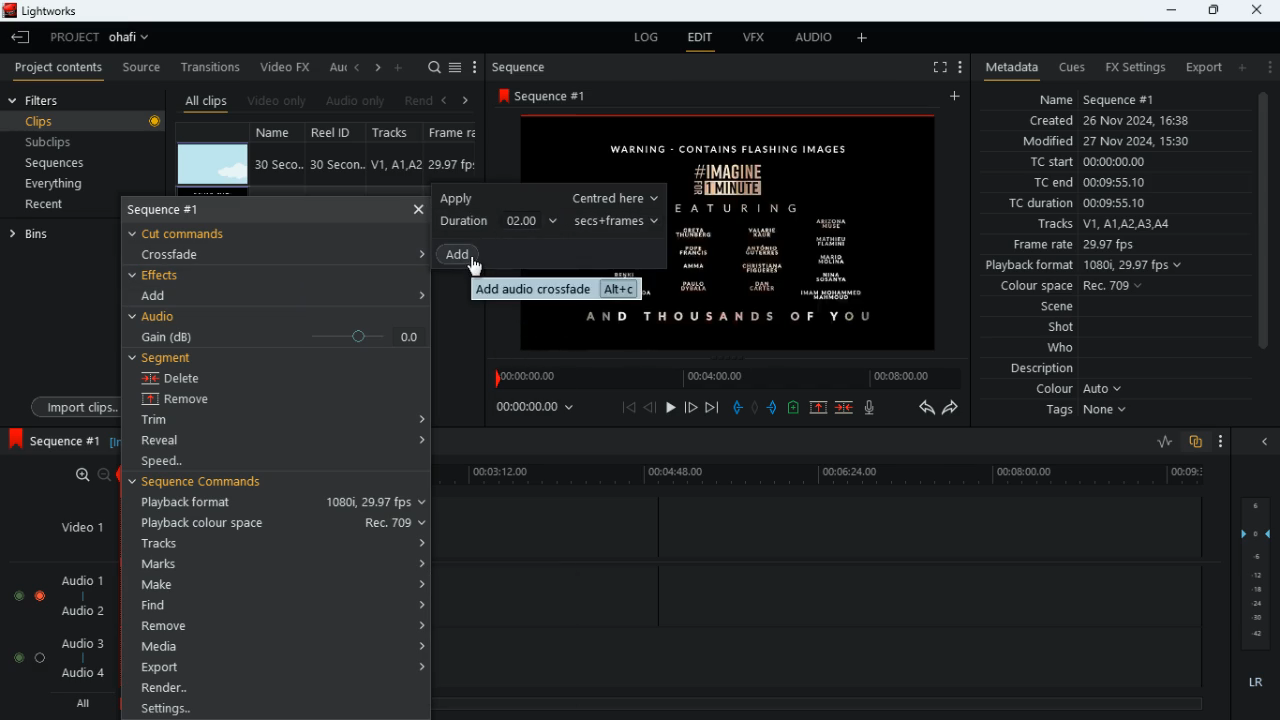 This screenshot has width=1280, height=720. What do you see at coordinates (443, 101) in the screenshot?
I see `back` at bounding box center [443, 101].